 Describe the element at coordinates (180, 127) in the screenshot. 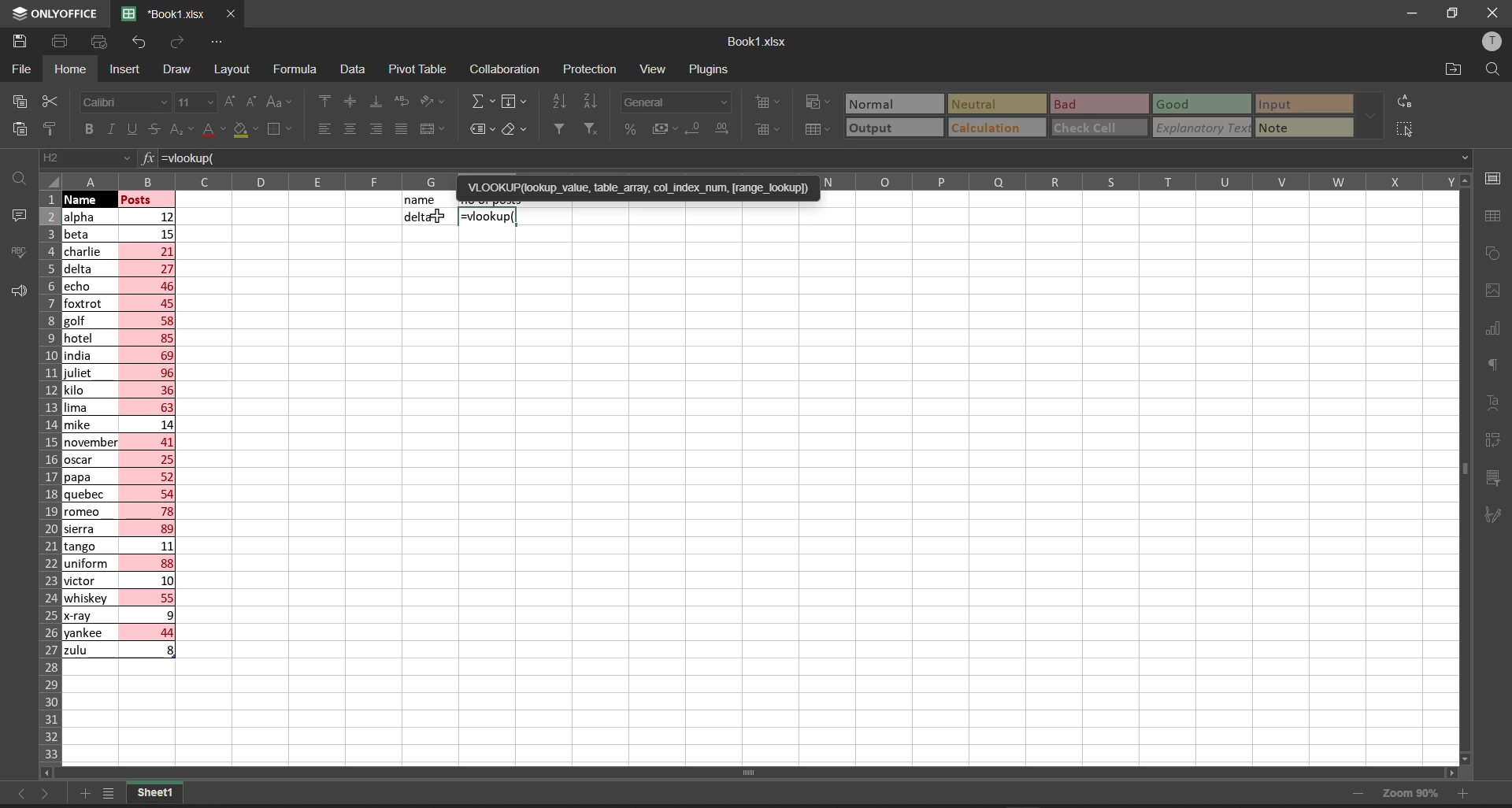

I see `subscript\superscript` at that location.